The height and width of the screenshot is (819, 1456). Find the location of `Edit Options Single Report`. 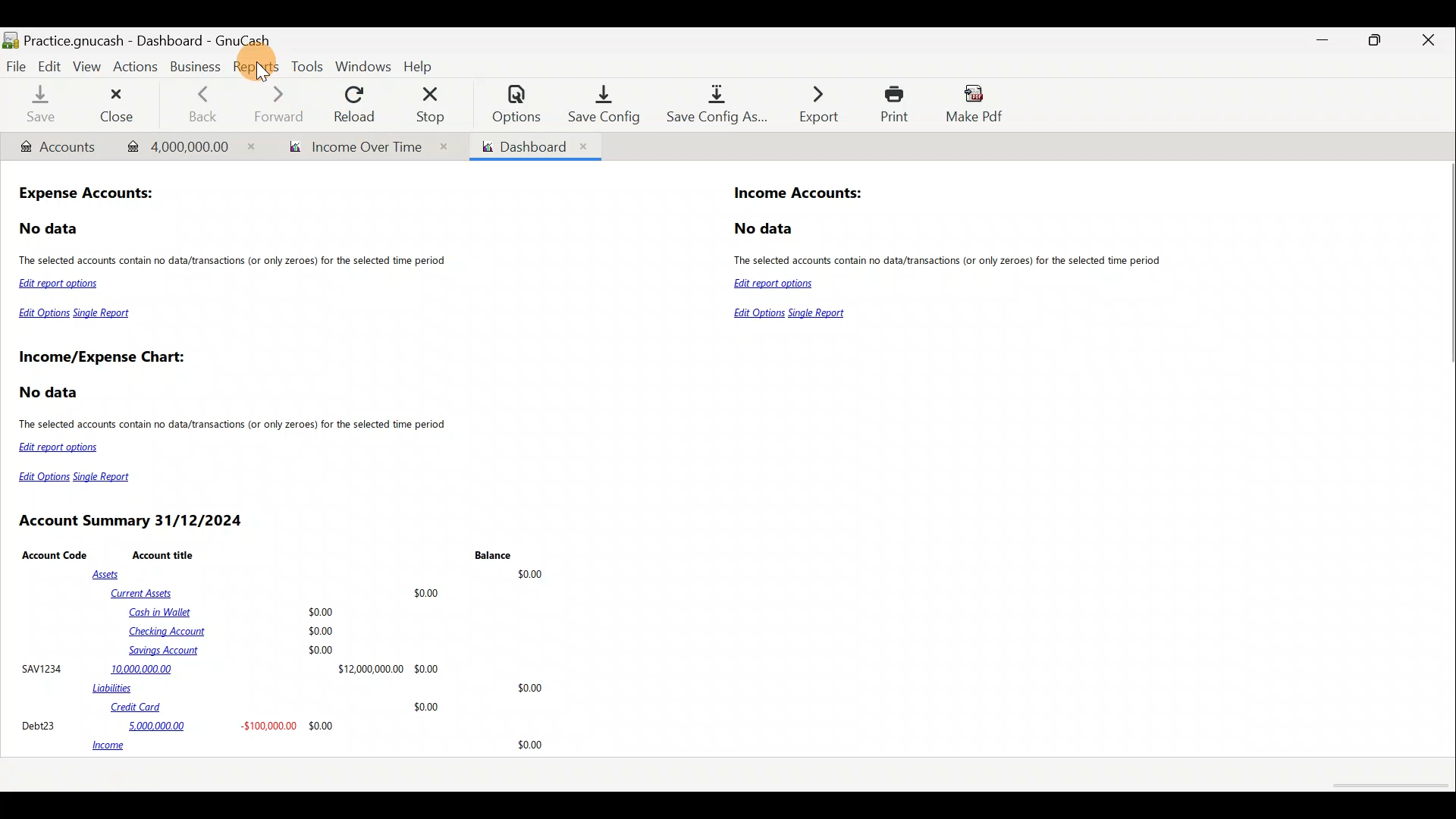

Edit Options Single Report is located at coordinates (792, 314).